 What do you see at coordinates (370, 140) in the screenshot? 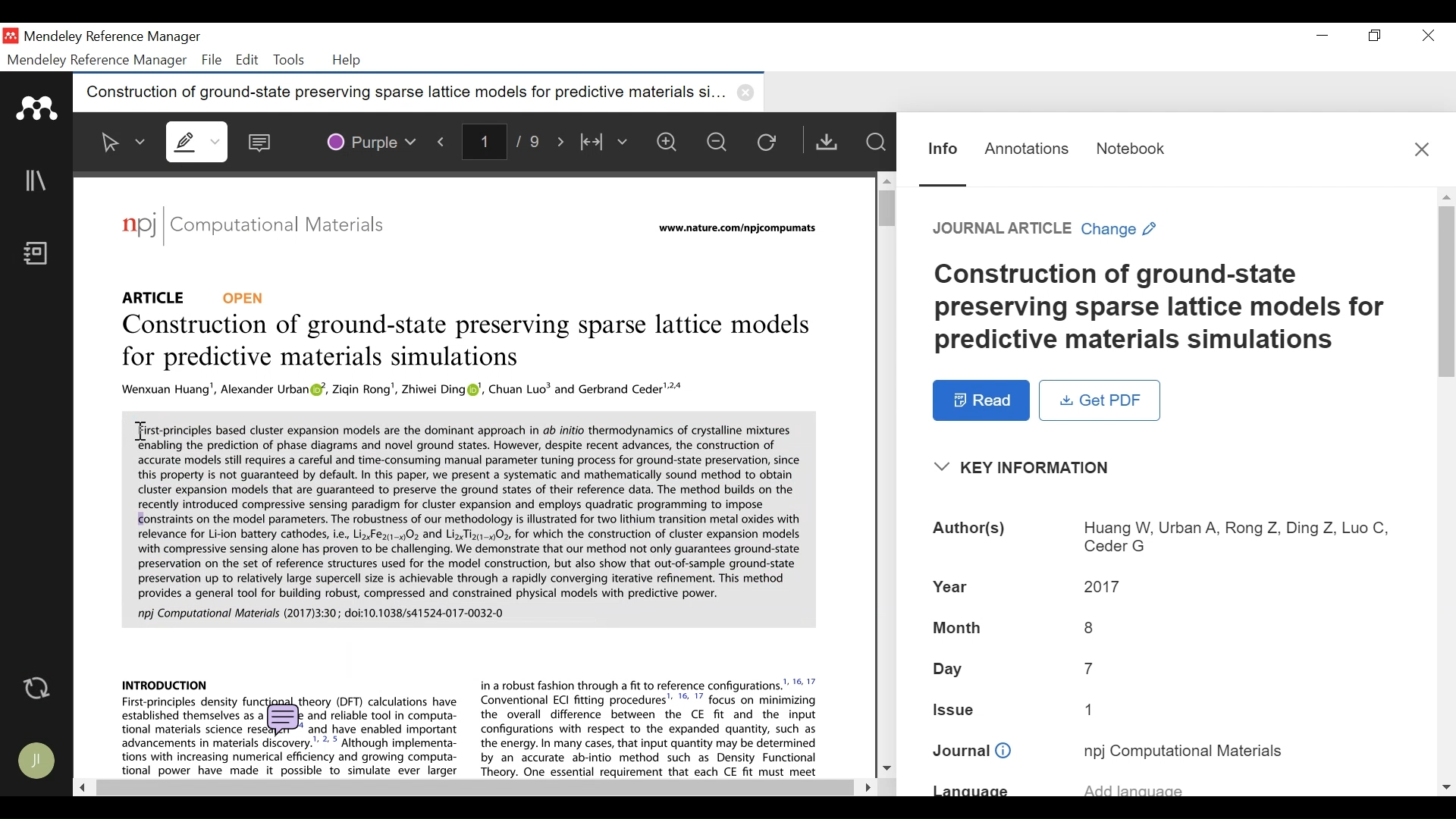
I see `Color` at bounding box center [370, 140].